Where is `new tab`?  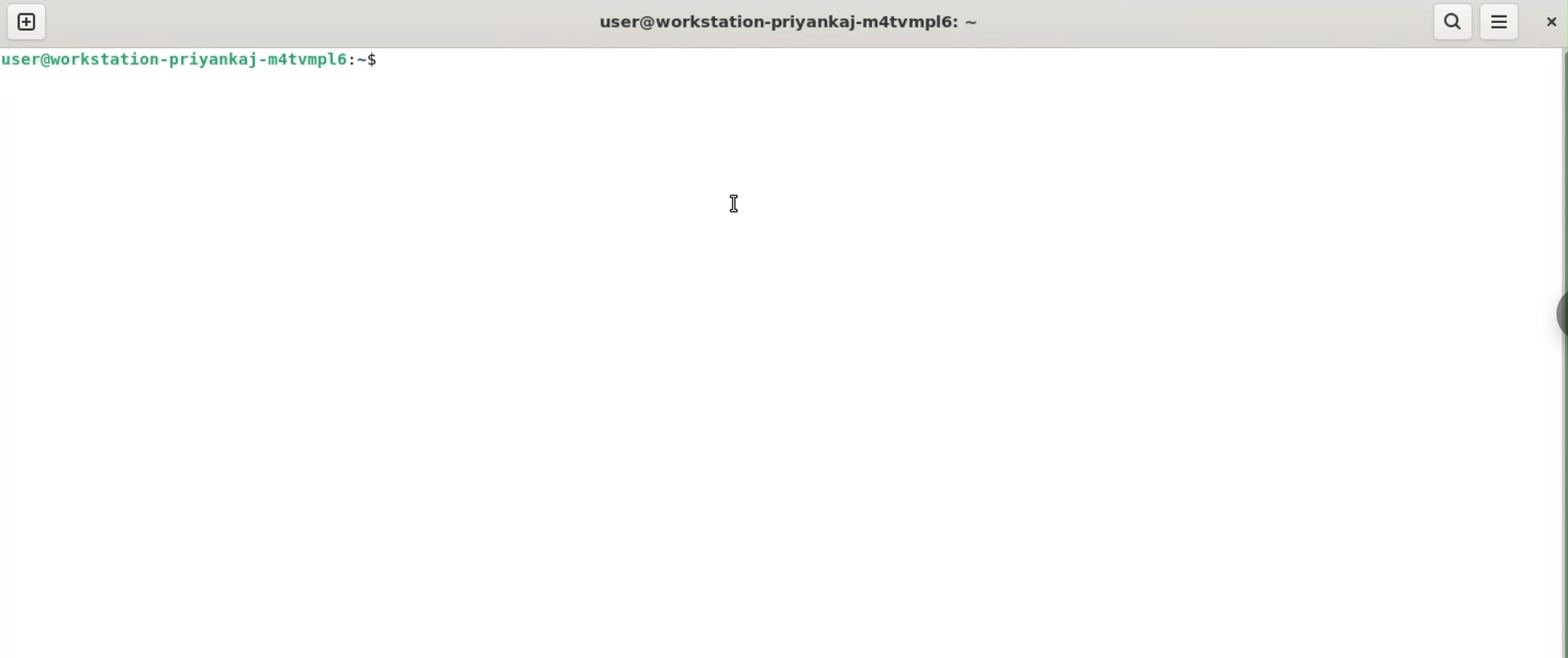 new tab is located at coordinates (25, 22).